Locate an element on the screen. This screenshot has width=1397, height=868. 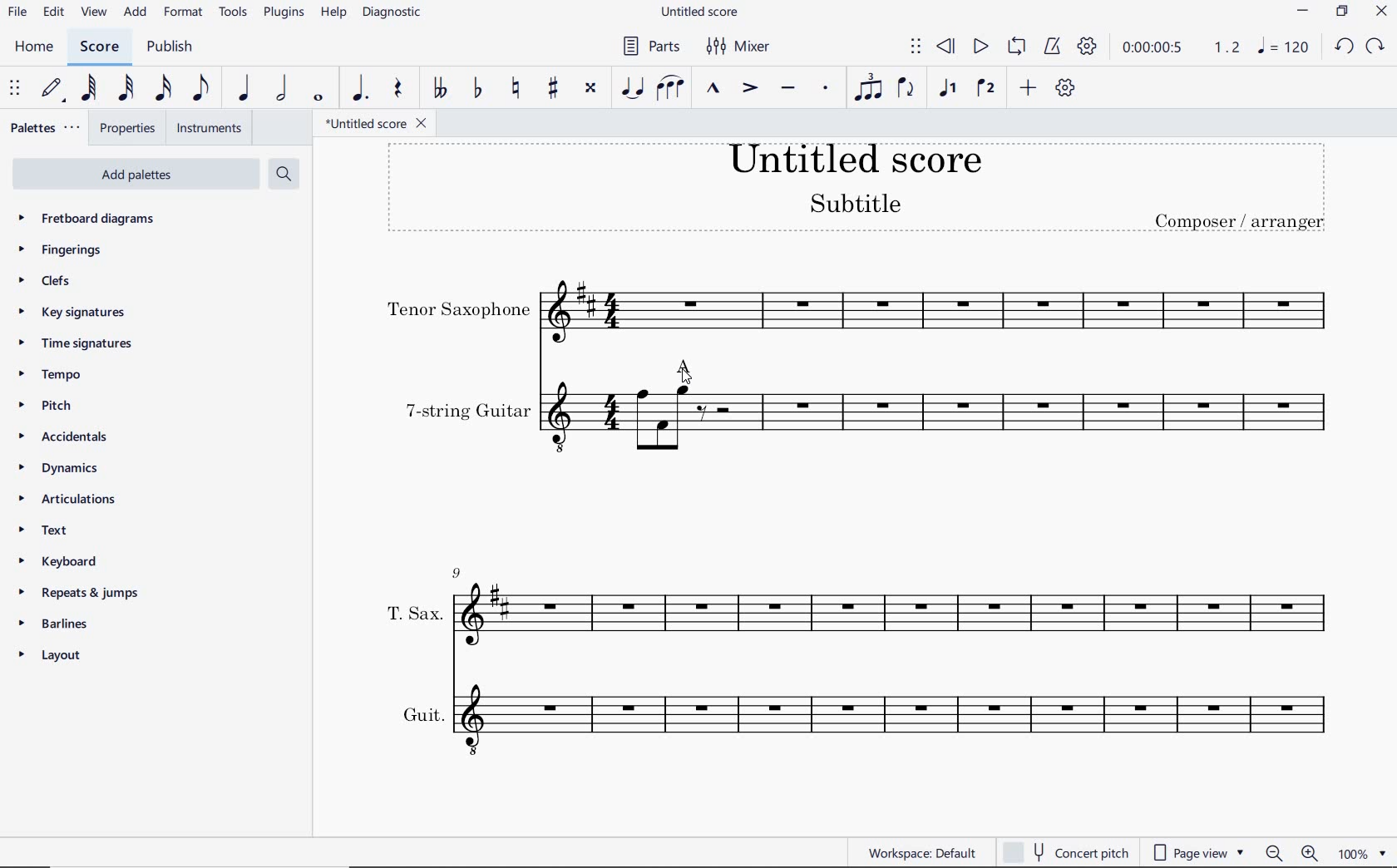
WORKSPACE: DEFAULT is located at coordinates (917, 853).